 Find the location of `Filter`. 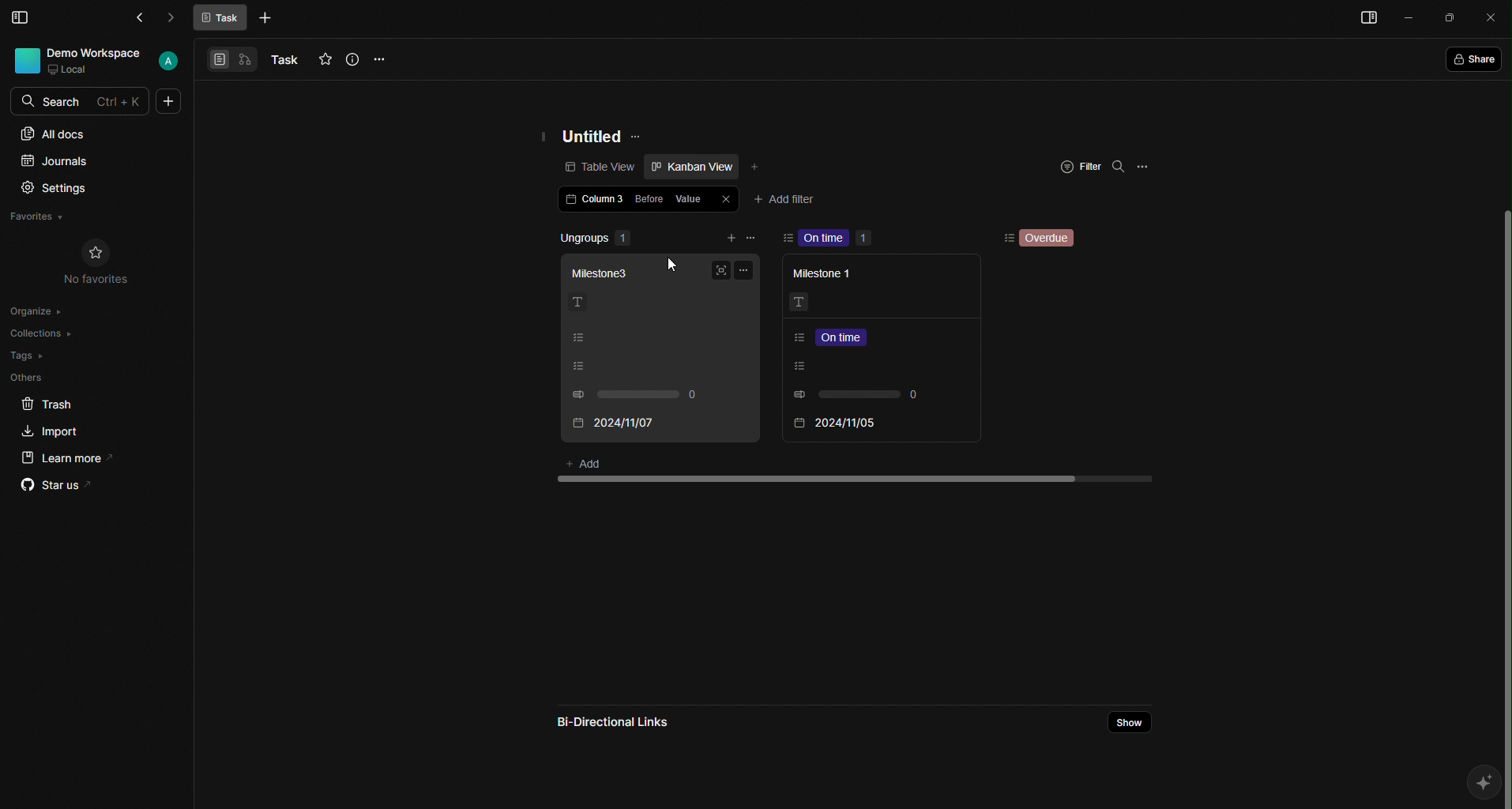

Filter is located at coordinates (1079, 164).